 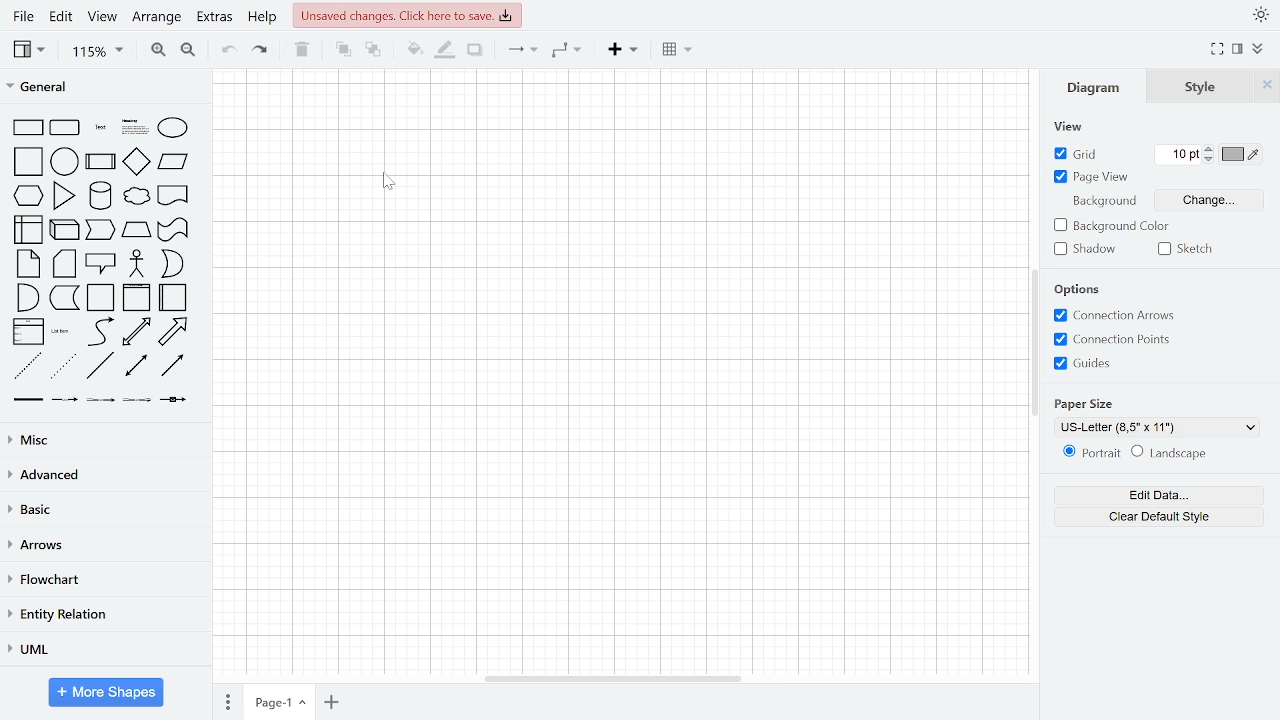 What do you see at coordinates (1079, 153) in the screenshot?
I see `grid` at bounding box center [1079, 153].